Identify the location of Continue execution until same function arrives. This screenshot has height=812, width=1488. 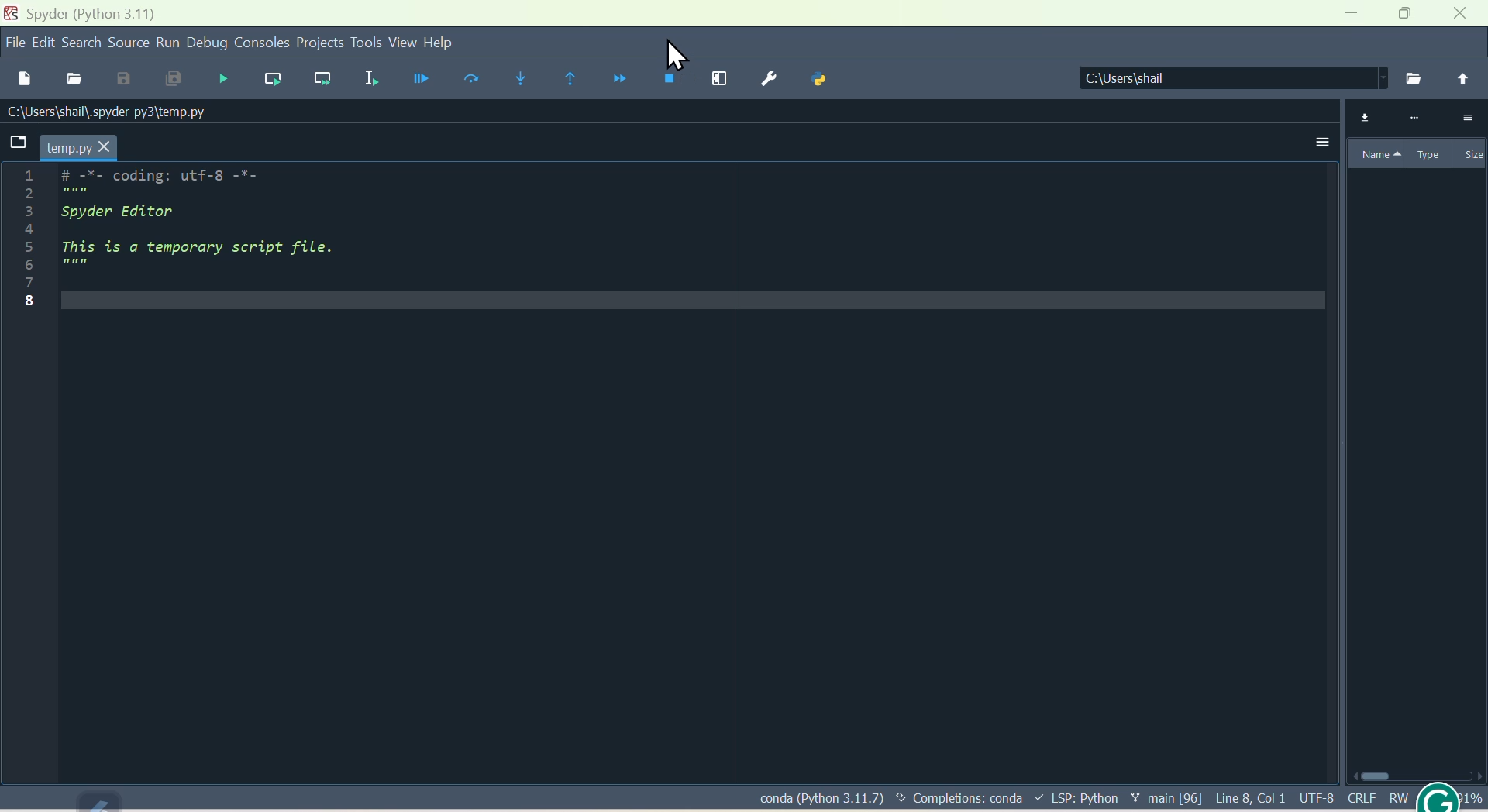
(566, 81).